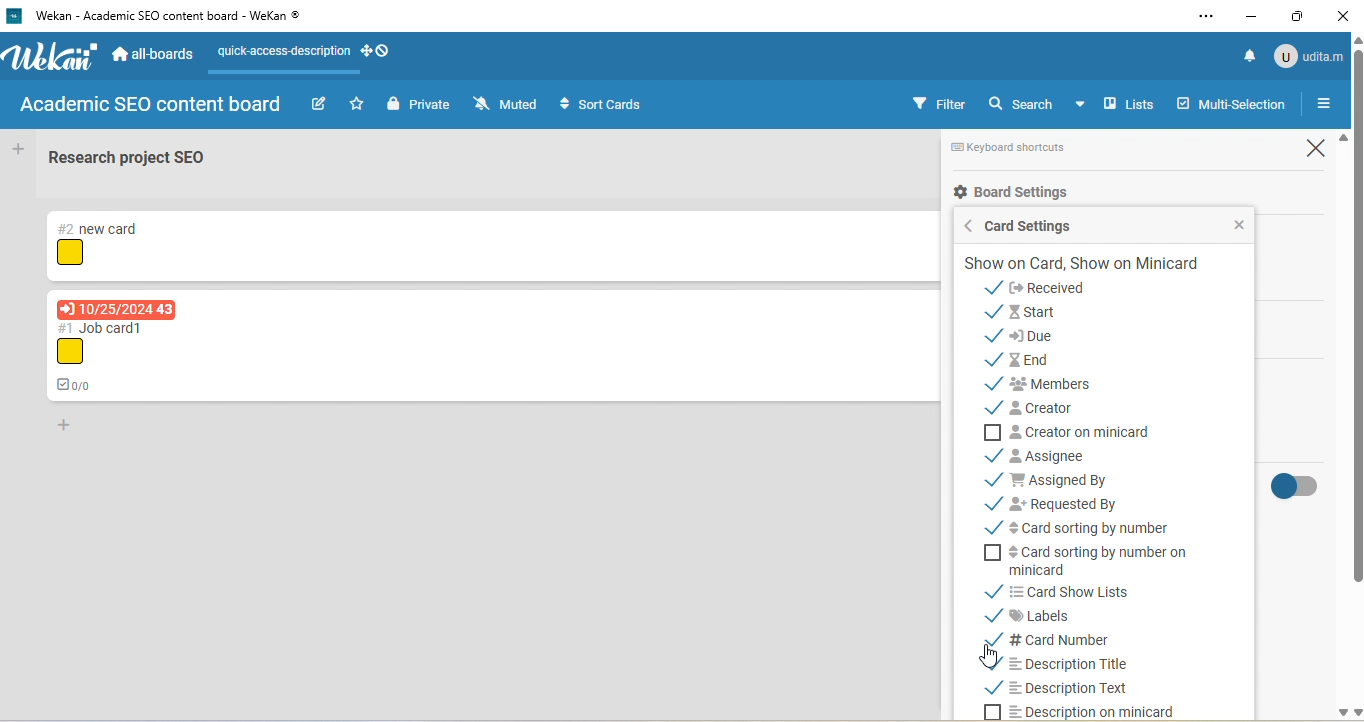 This screenshot has width=1364, height=722. I want to click on add card to bottom , so click(72, 428).